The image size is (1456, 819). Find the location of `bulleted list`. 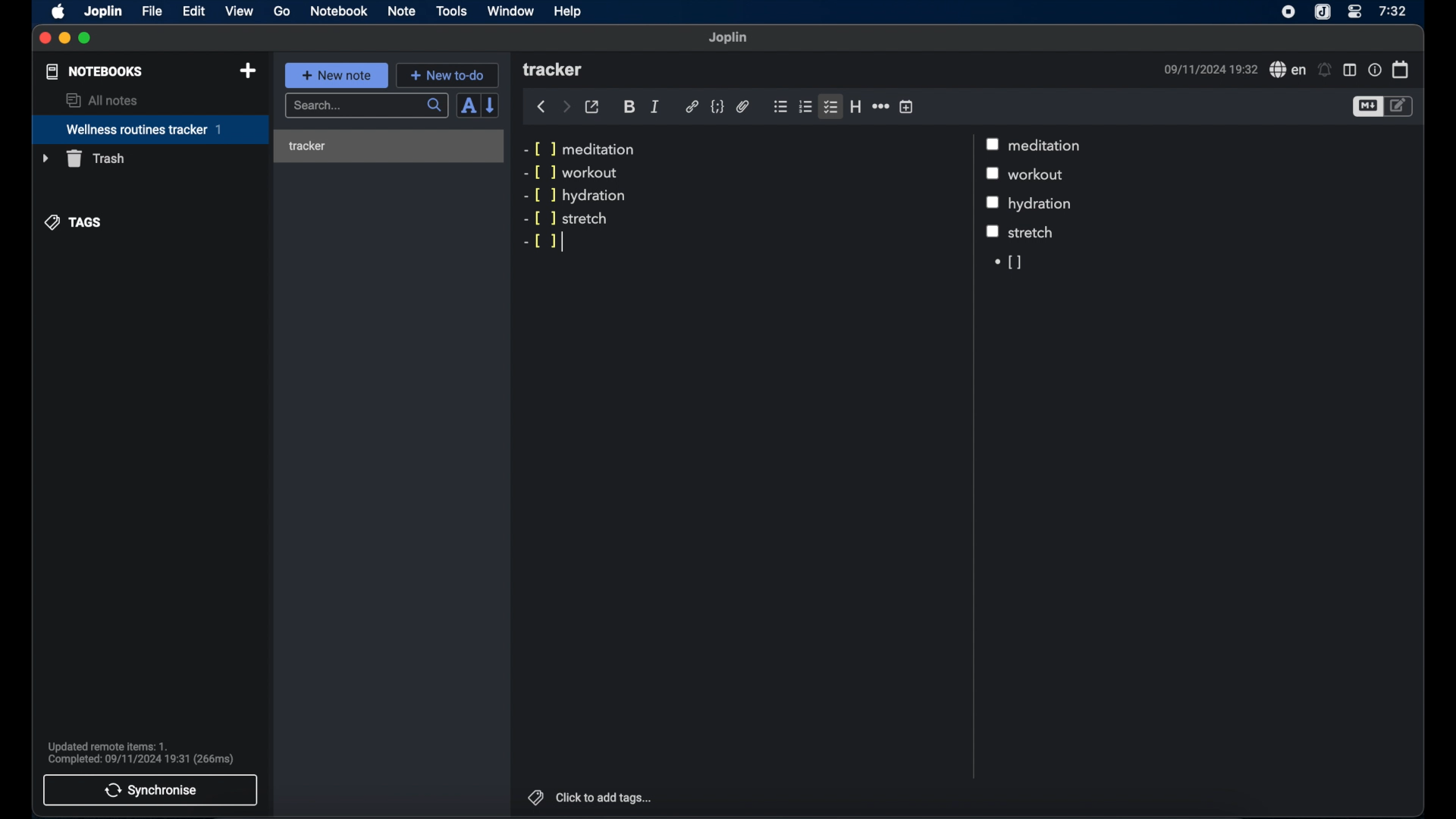

bulleted list is located at coordinates (780, 107).